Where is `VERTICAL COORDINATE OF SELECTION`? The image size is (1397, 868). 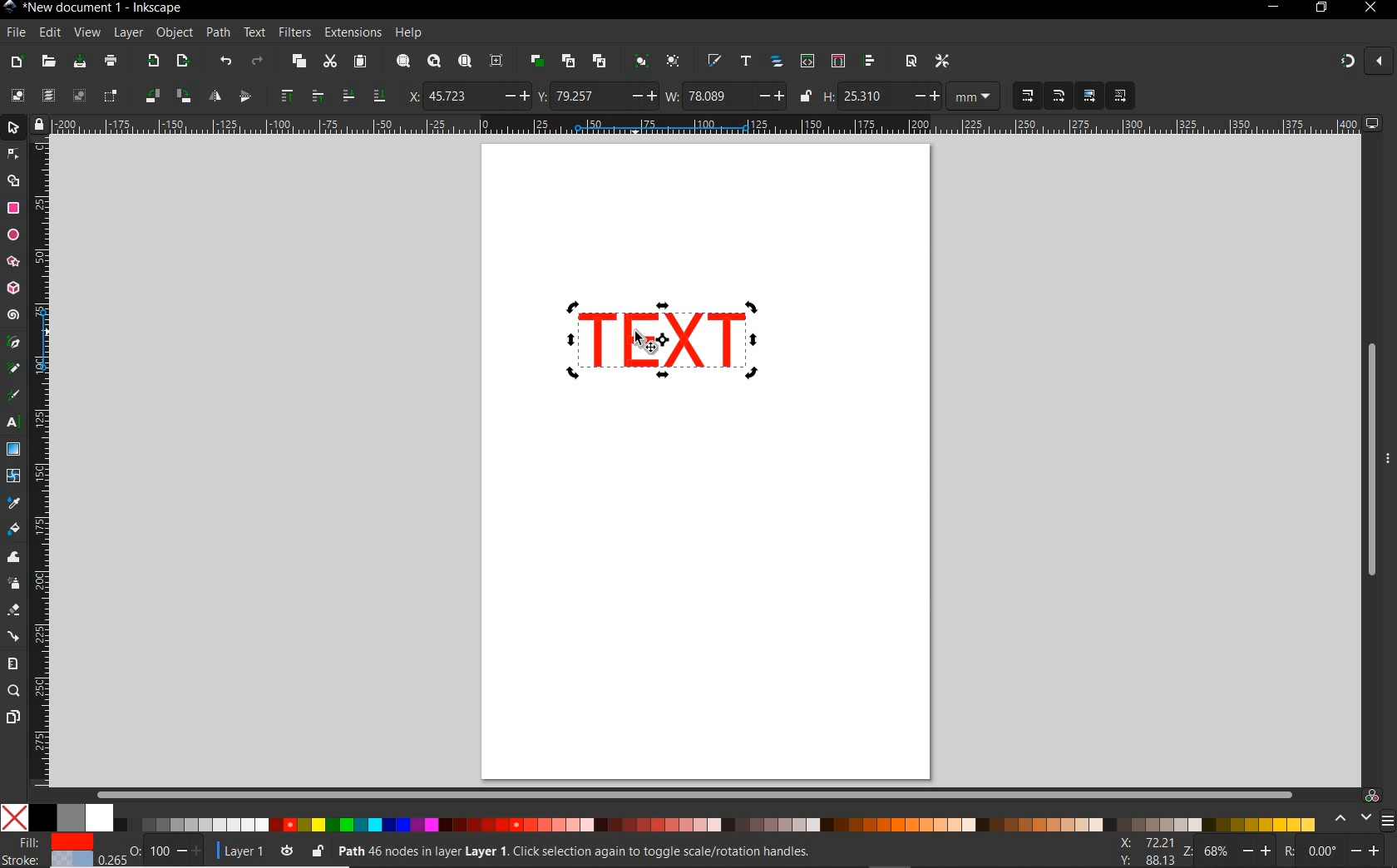 VERTICAL COORDINATE OF SELECTION is located at coordinates (596, 96).